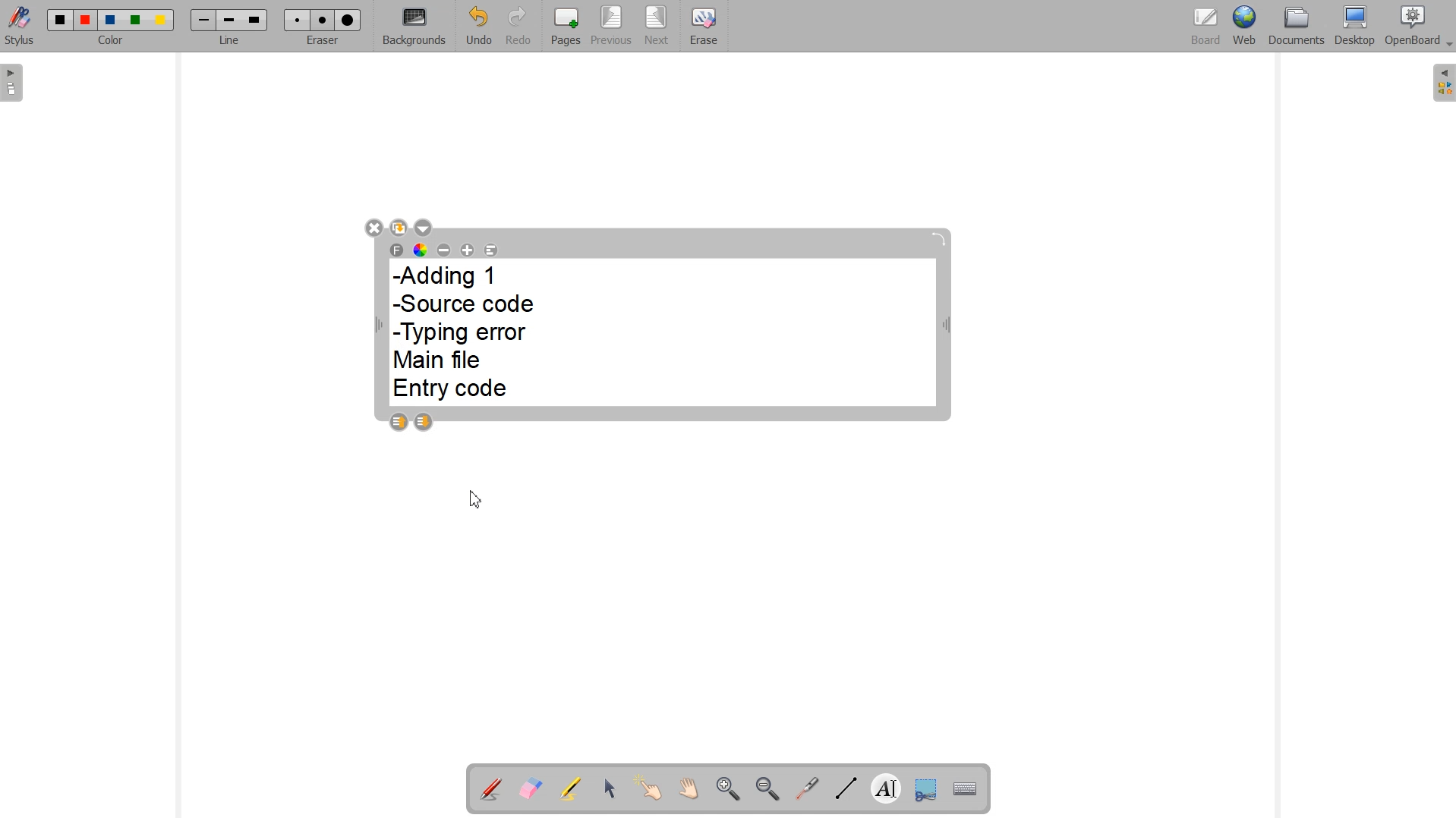 Image resolution: width=1456 pixels, height=818 pixels. What do you see at coordinates (966, 787) in the screenshot?
I see `Display virtual keyboard ` at bounding box center [966, 787].